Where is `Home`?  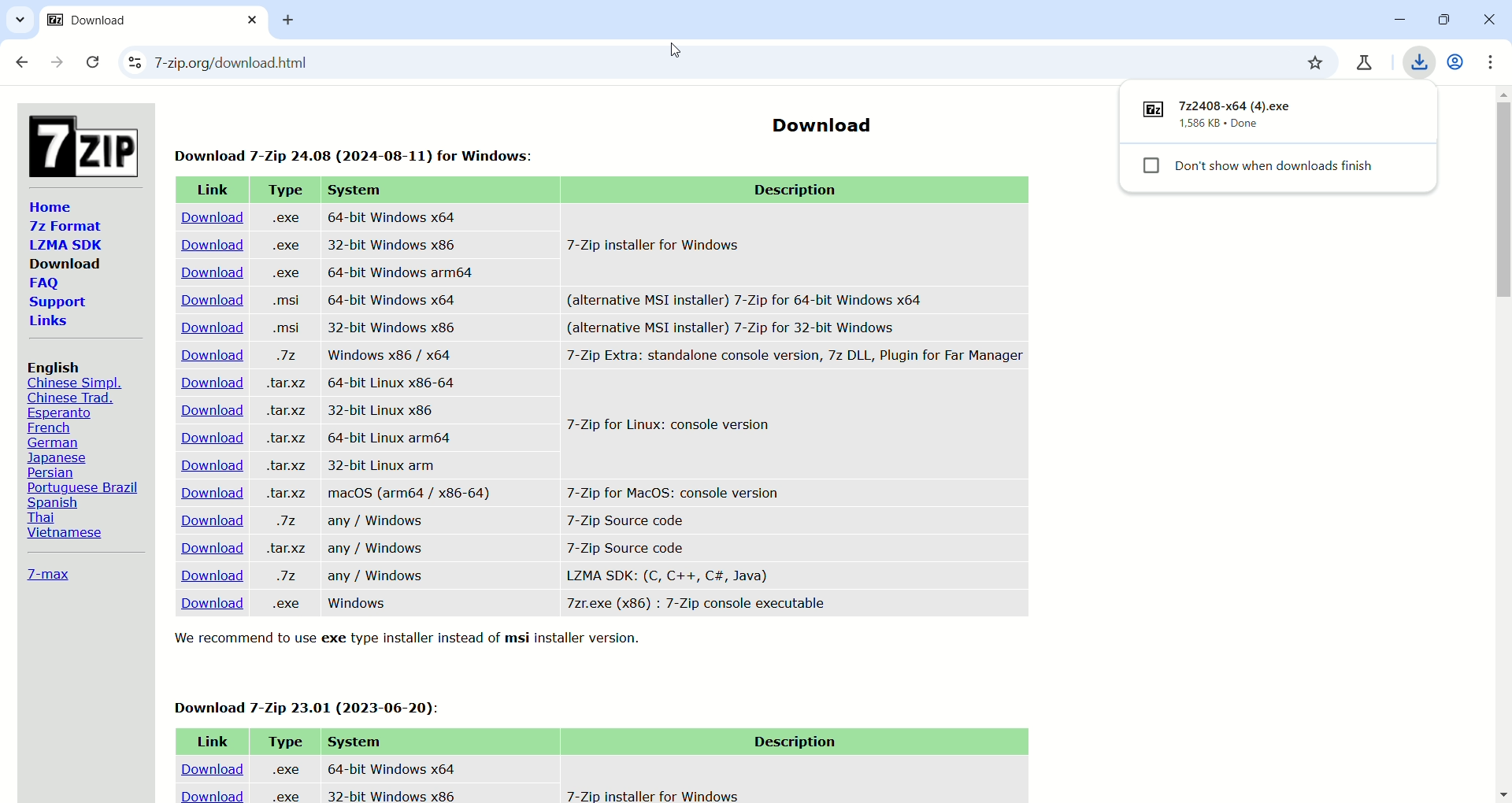
Home is located at coordinates (50, 206).